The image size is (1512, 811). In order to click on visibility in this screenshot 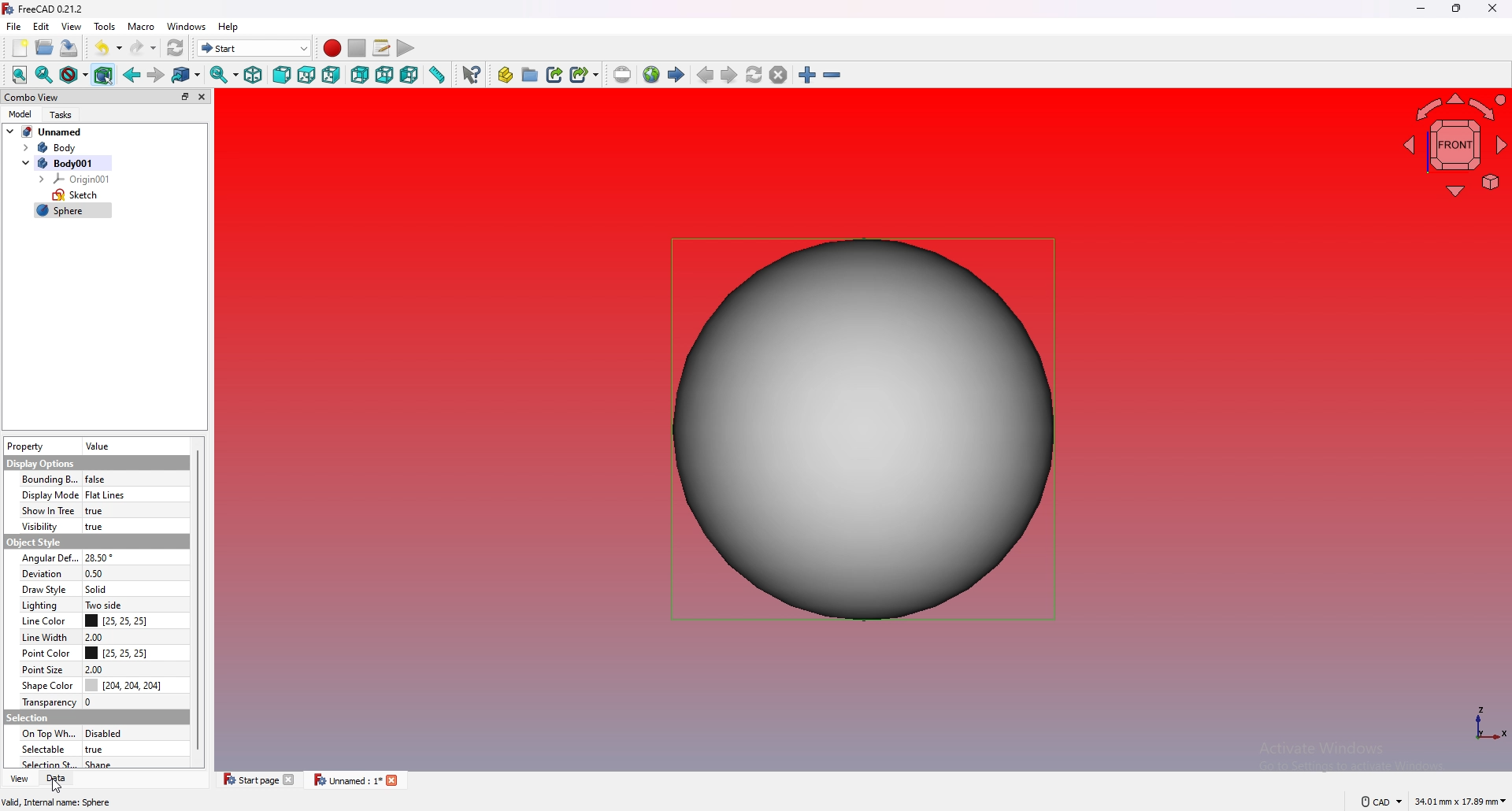, I will do `click(98, 526)`.